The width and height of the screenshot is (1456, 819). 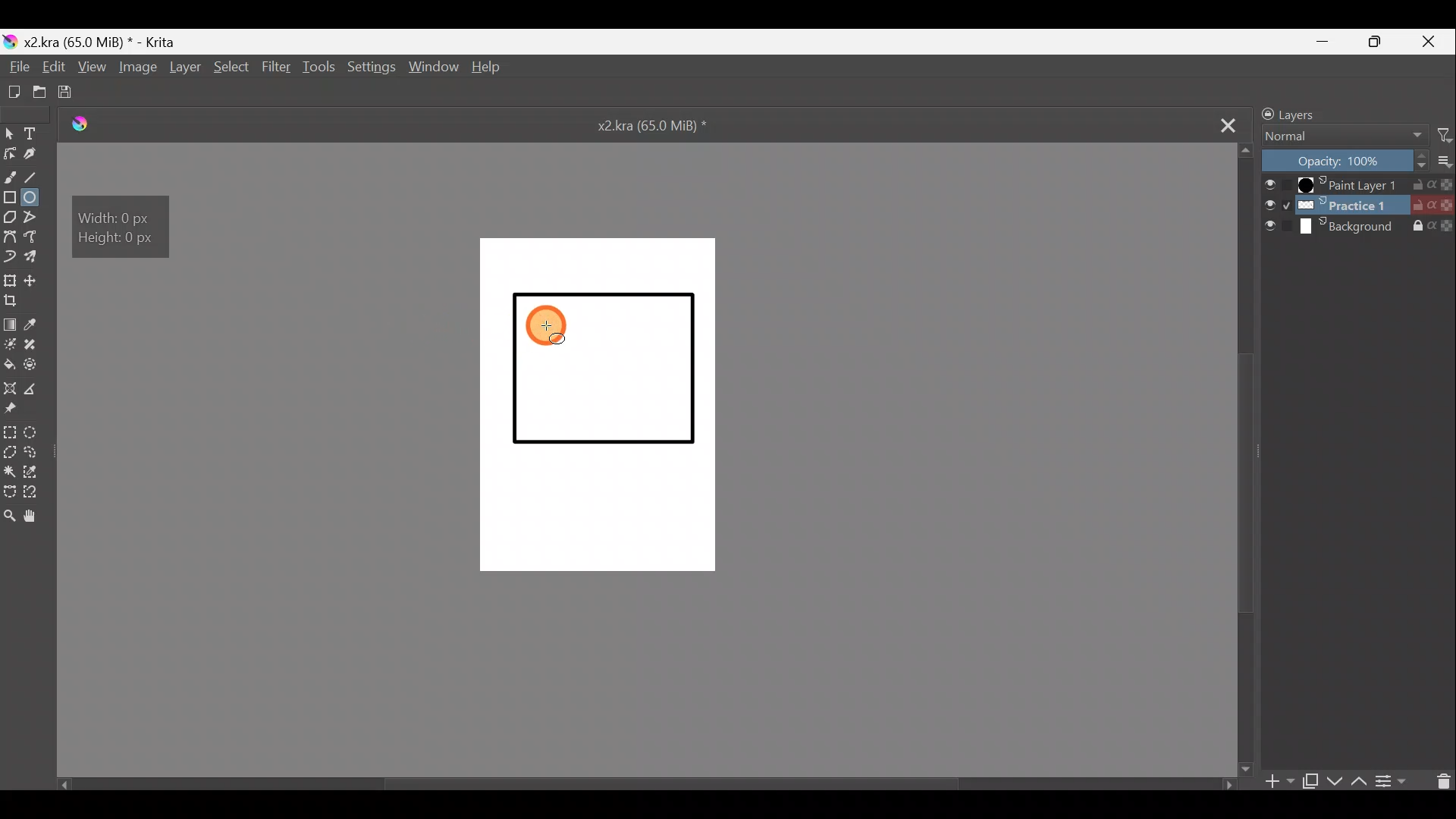 What do you see at coordinates (11, 255) in the screenshot?
I see `Magnetic curve tool` at bounding box center [11, 255].